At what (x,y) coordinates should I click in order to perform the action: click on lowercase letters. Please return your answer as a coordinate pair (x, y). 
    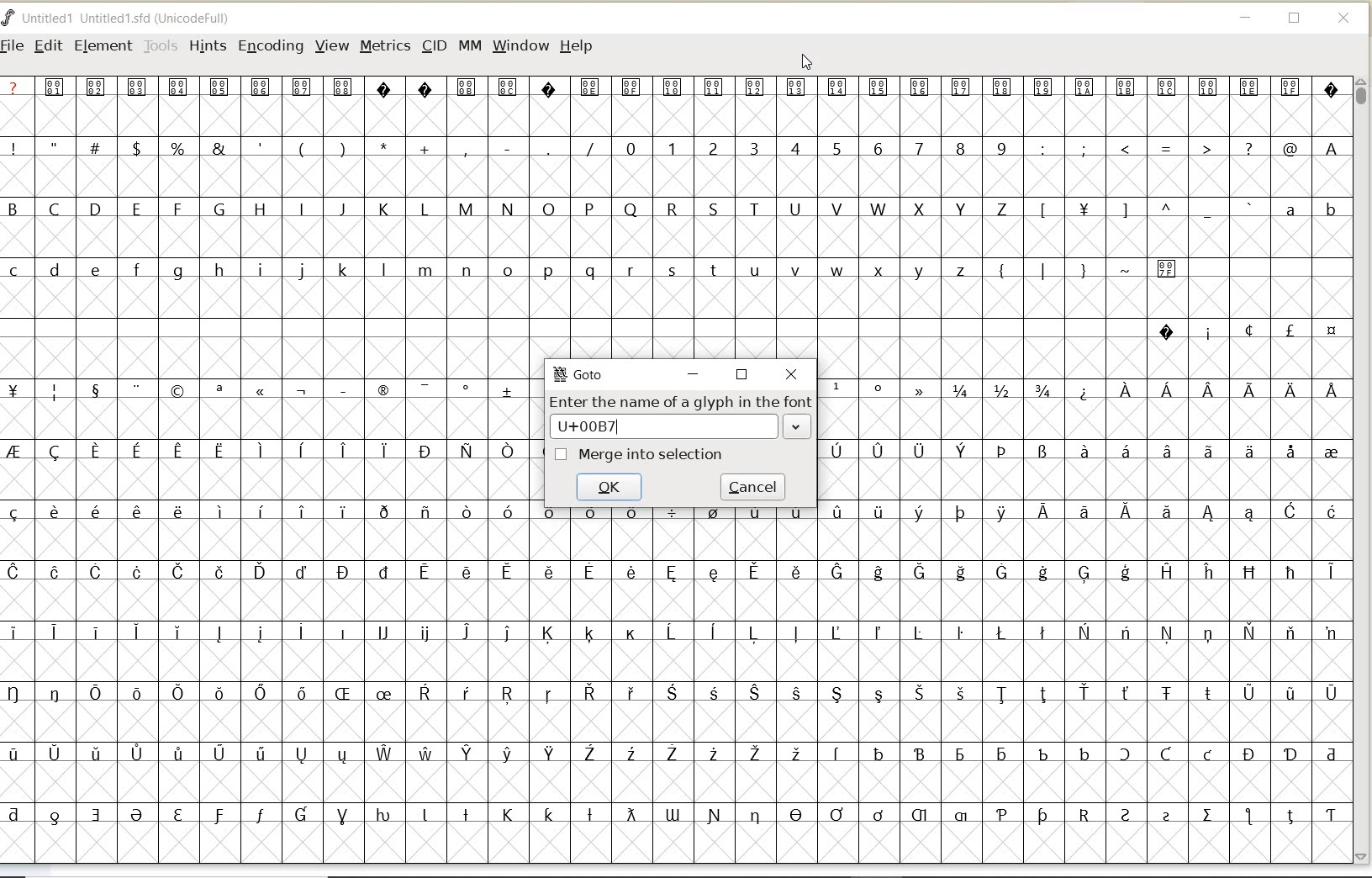
    Looking at the image, I should click on (1310, 213).